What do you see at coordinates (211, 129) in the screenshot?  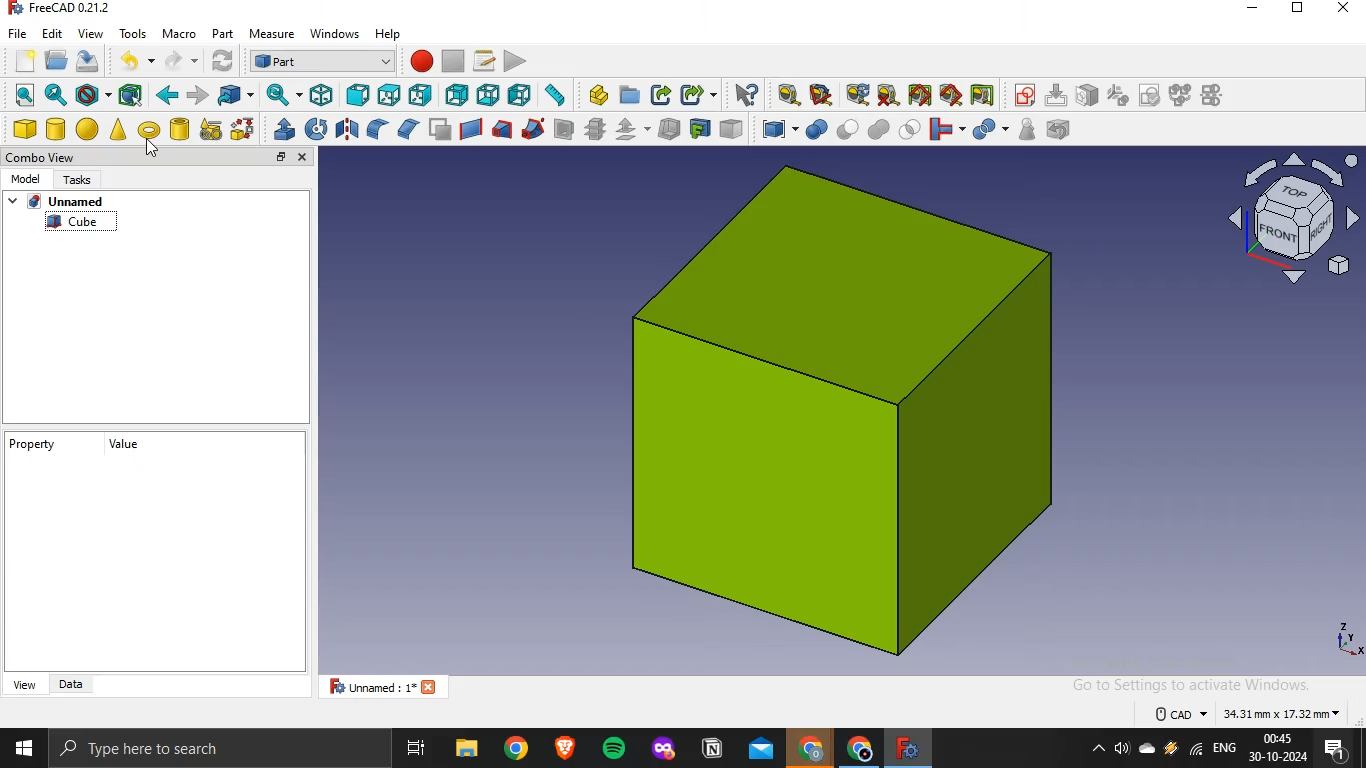 I see `create primitive` at bounding box center [211, 129].